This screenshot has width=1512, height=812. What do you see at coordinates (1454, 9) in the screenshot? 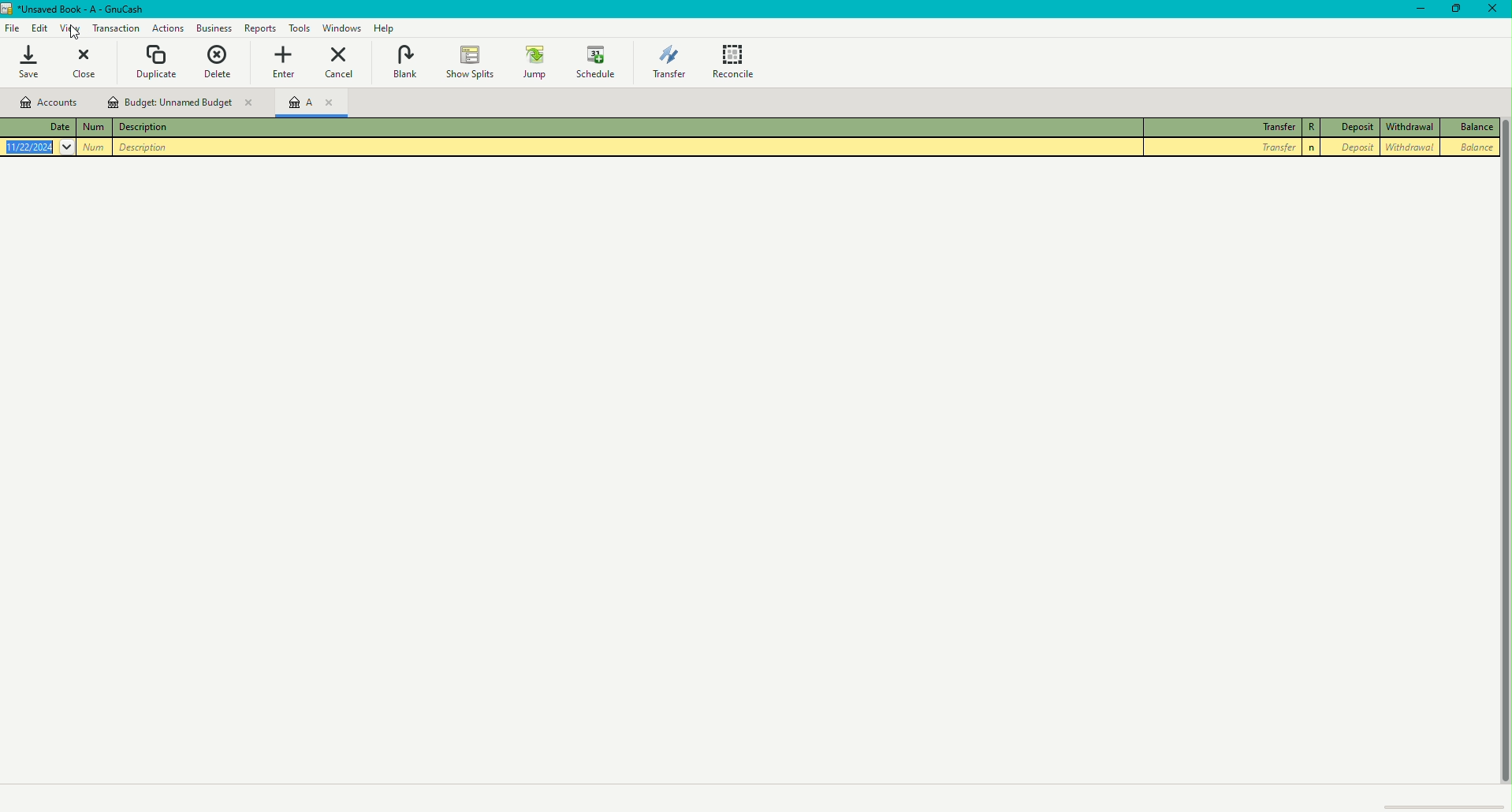
I see `Restore` at bounding box center [1454, 9].